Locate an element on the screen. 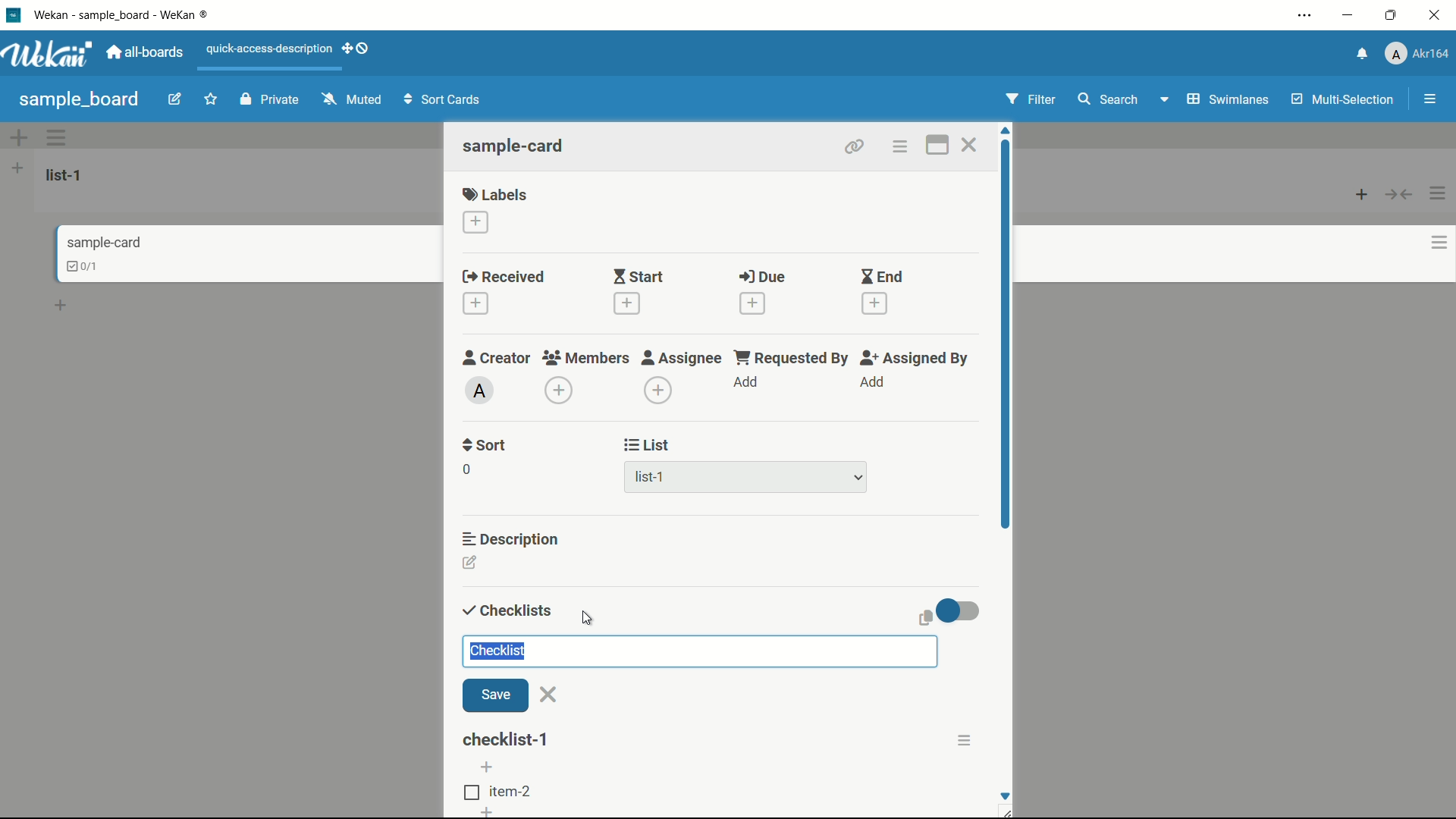  add date is located at coordinates (625, 303).